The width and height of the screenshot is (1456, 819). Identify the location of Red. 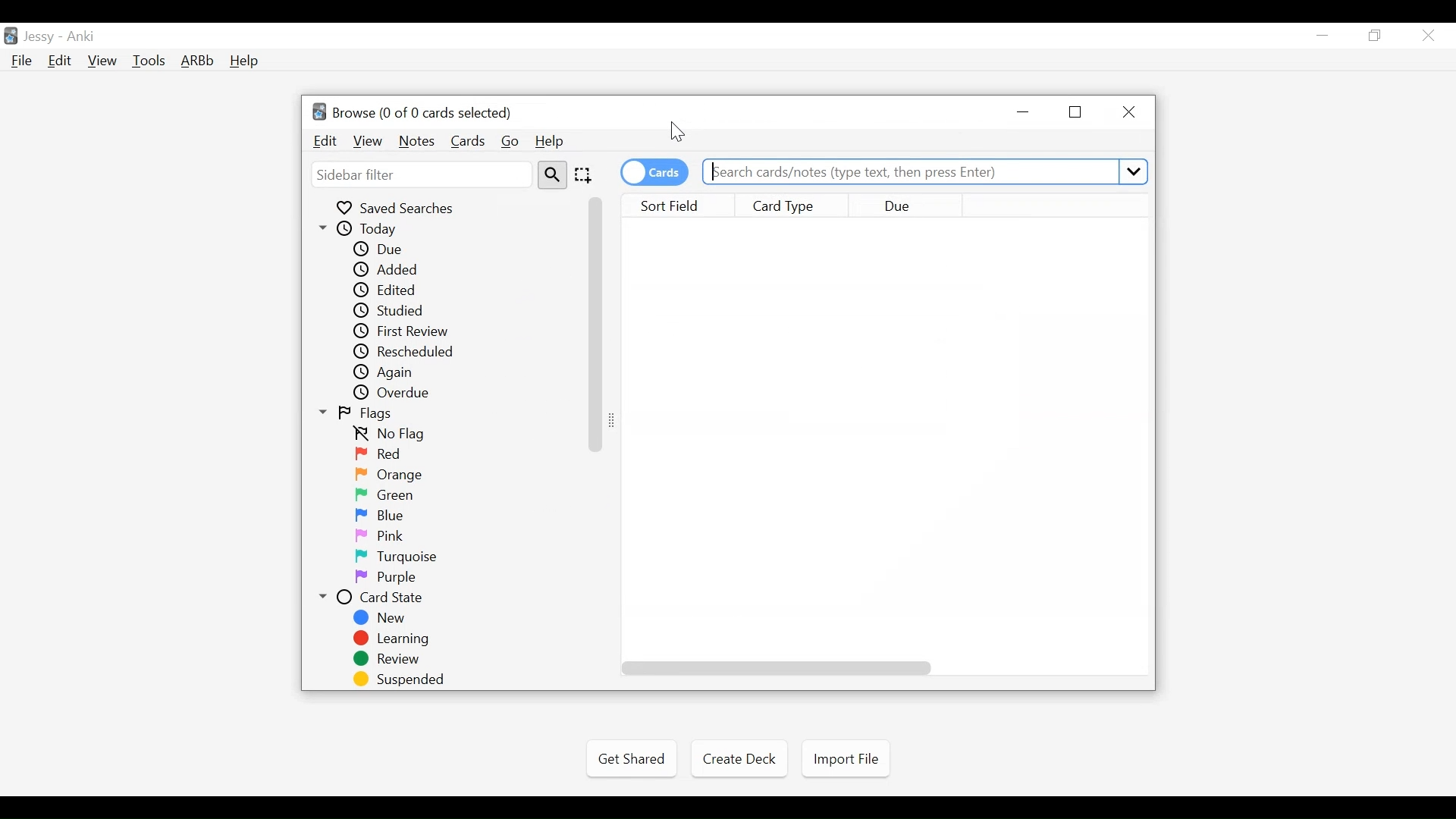
(383, 454).